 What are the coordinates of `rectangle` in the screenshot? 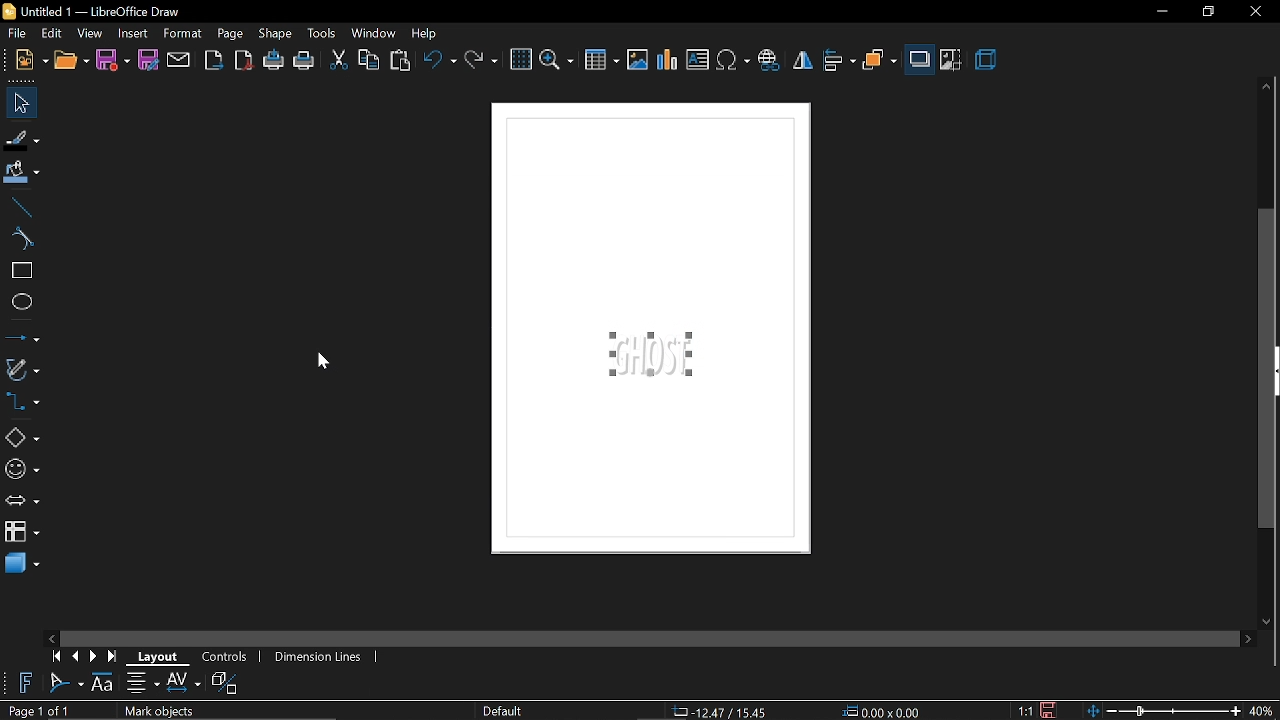 It's located at (19, 272).